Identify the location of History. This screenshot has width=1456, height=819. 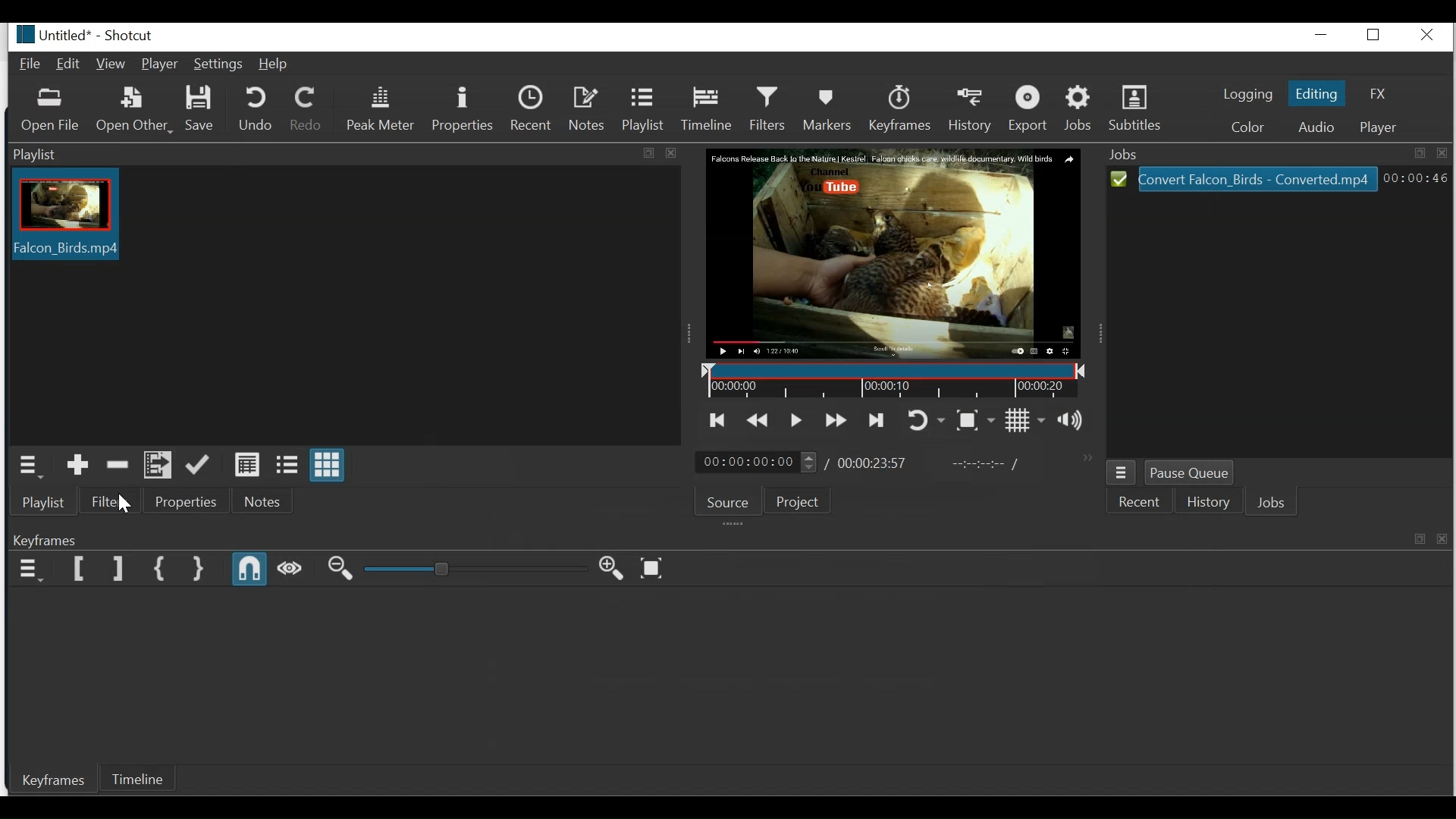
(972, 110).